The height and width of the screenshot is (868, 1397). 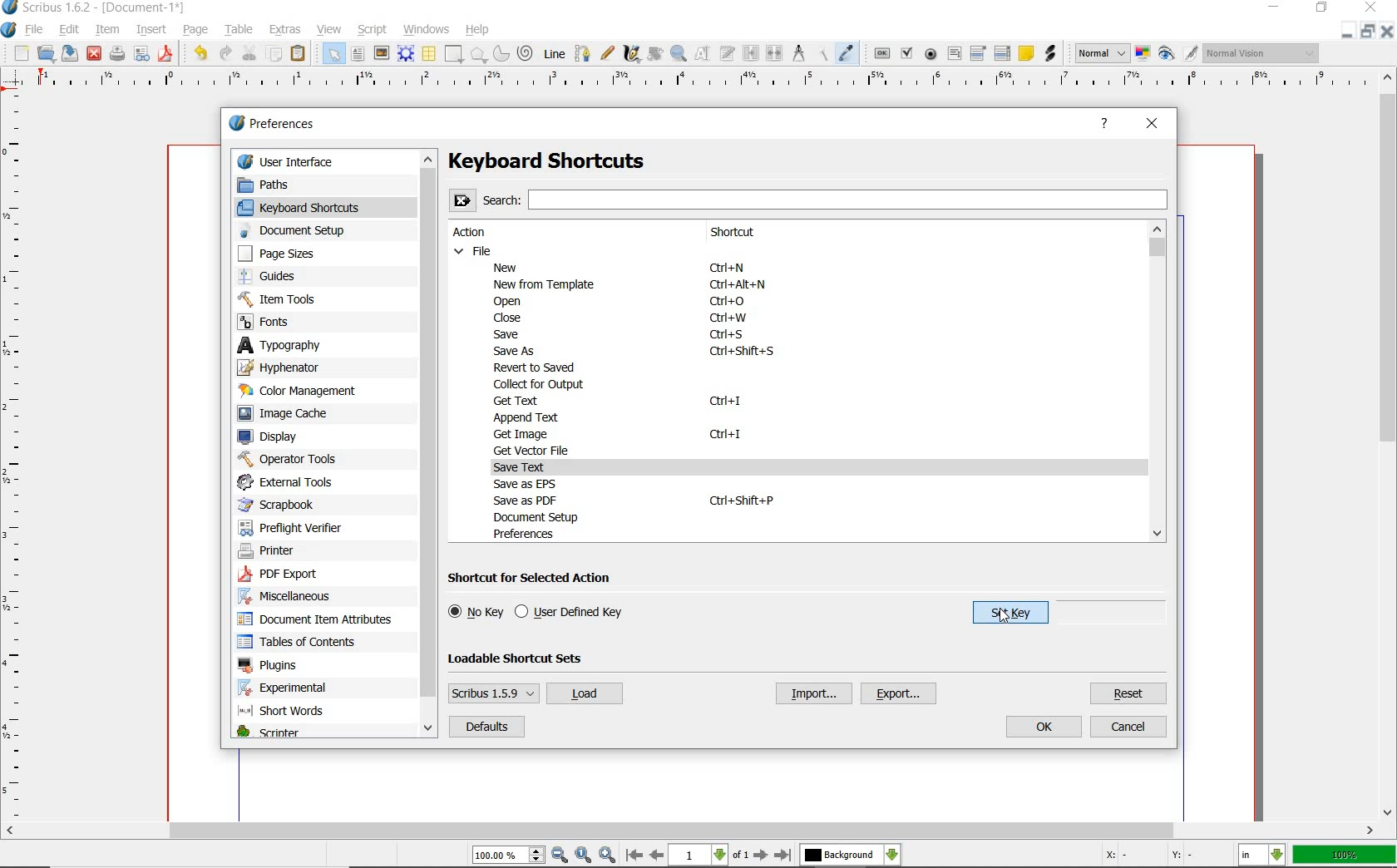 I want to click on restore, so click(x=1345, y=32).